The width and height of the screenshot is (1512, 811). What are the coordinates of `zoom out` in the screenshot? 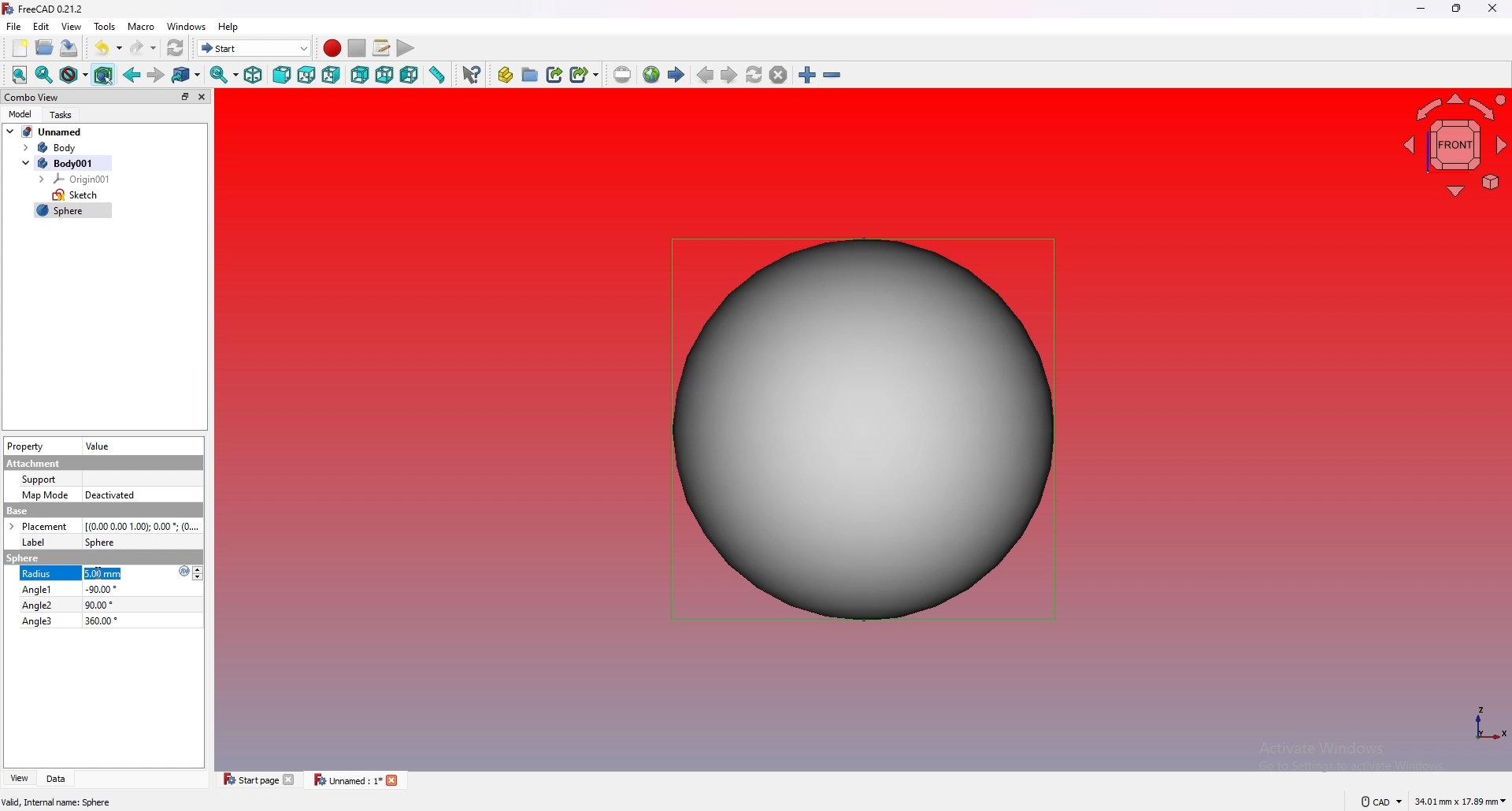 It's located at (831, 75).